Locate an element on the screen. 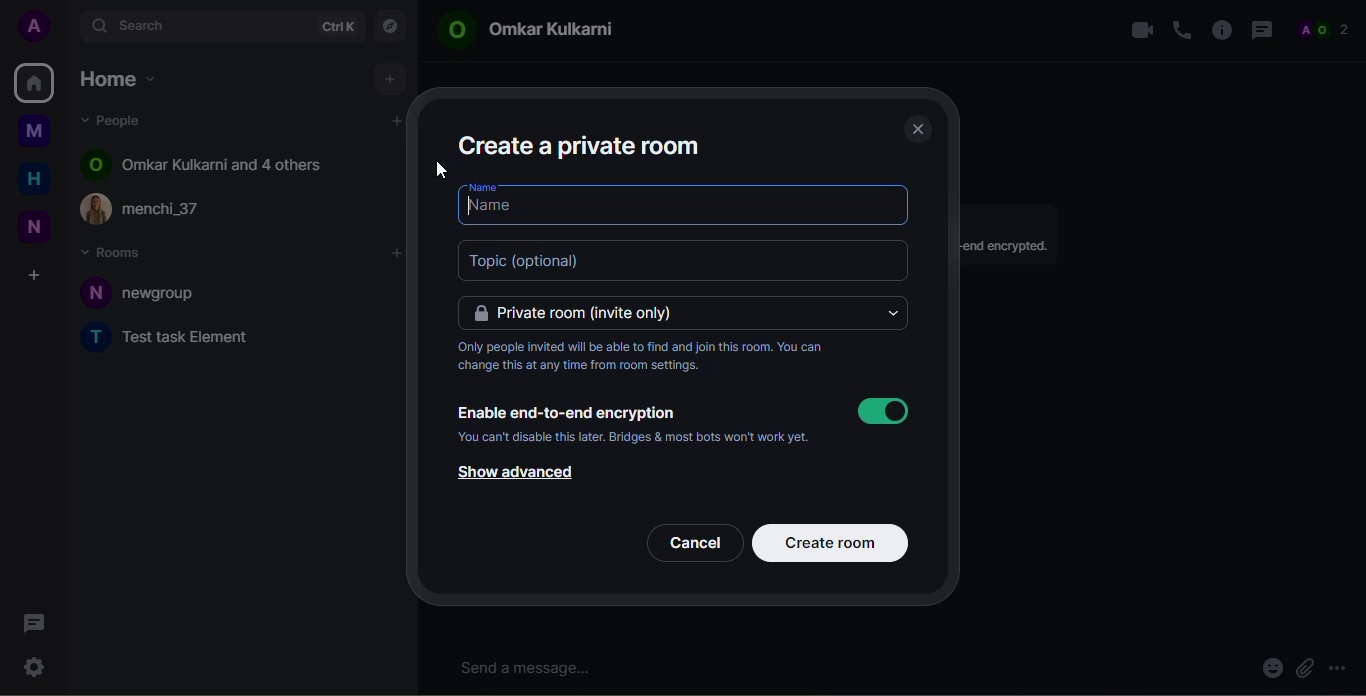  rooms is located at coordinates (115, 251).